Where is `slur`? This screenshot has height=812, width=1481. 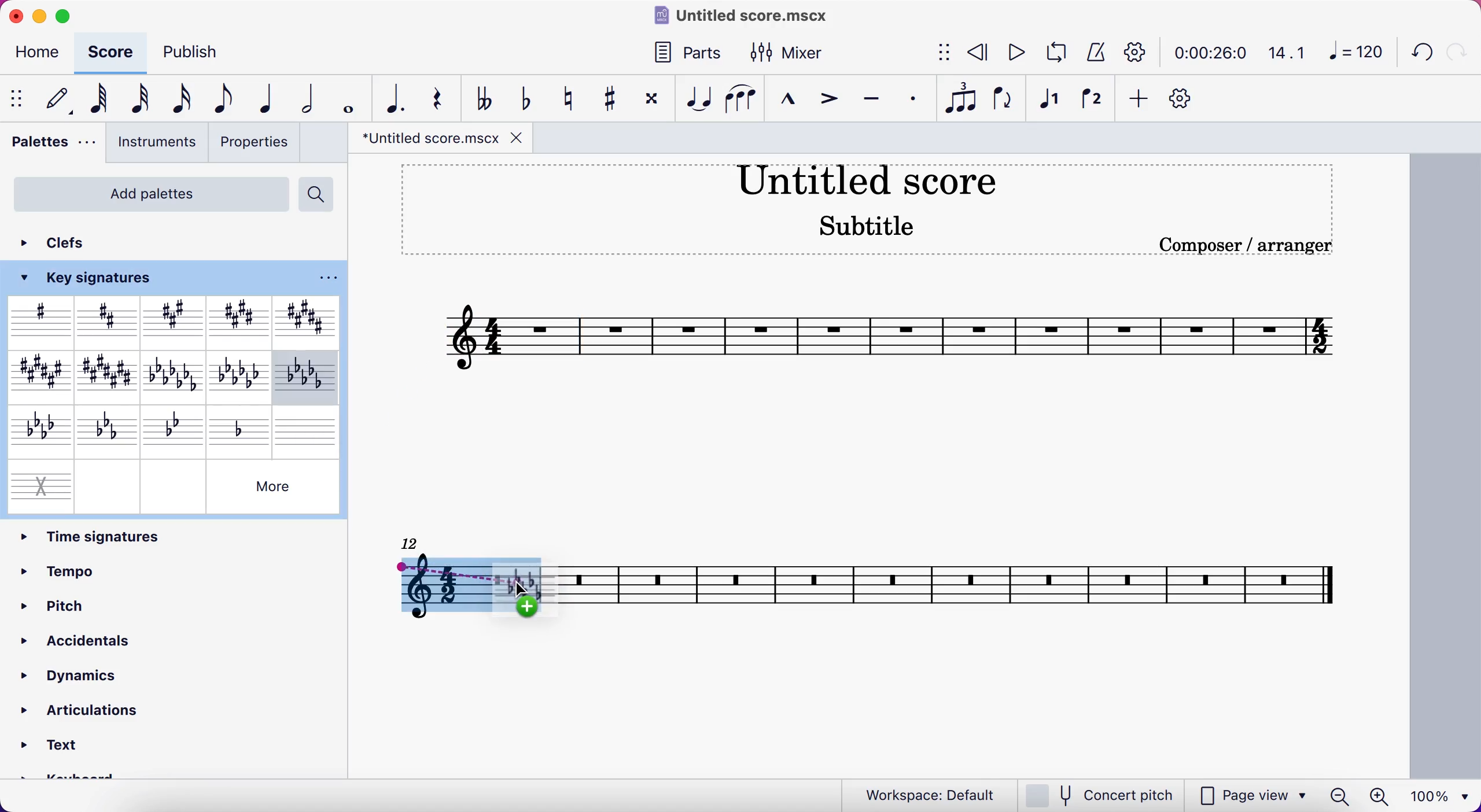 slur is located at coordinates (743, 104).